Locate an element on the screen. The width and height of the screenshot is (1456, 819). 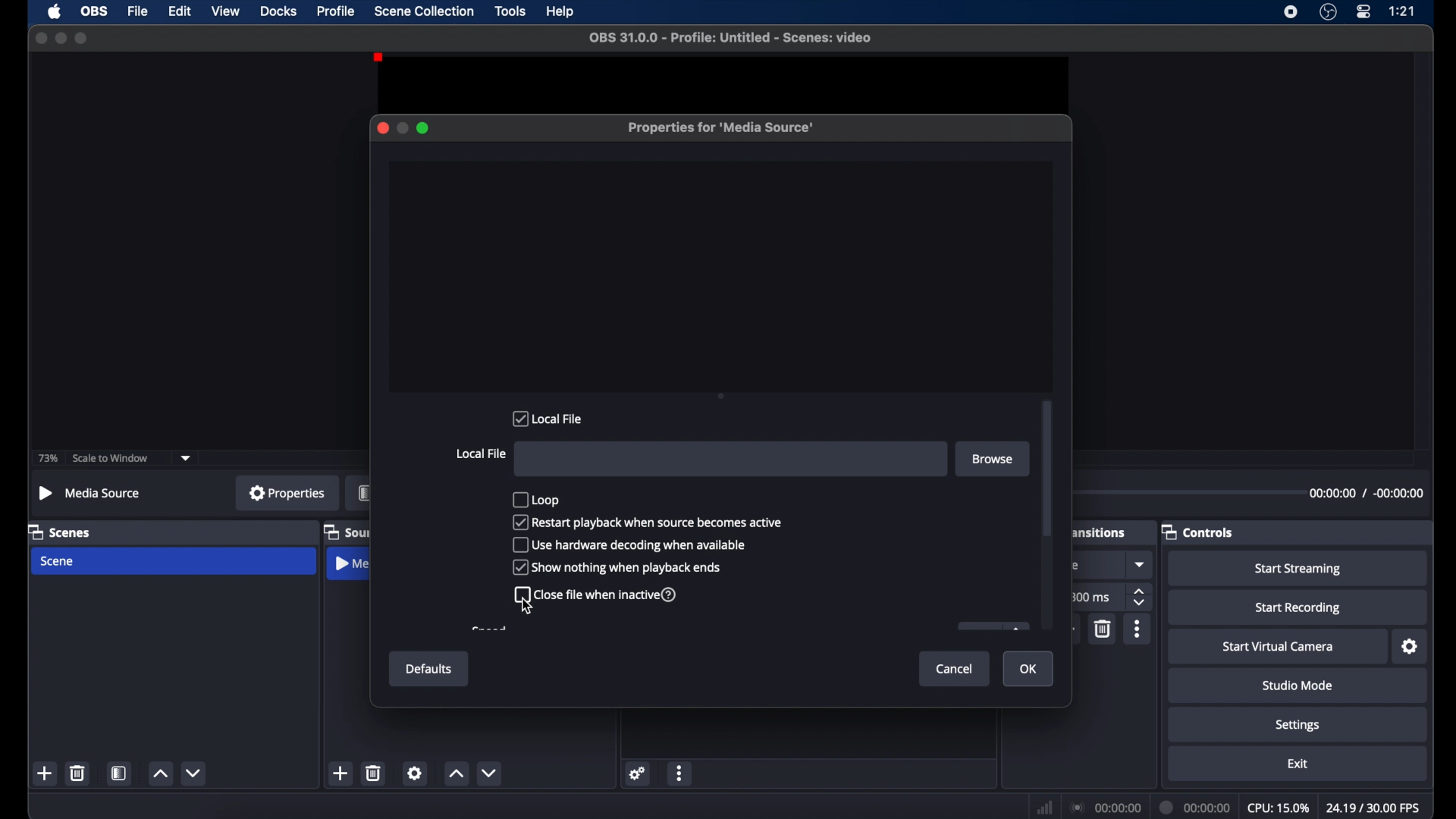
loop is located at coordinates (537, 499).